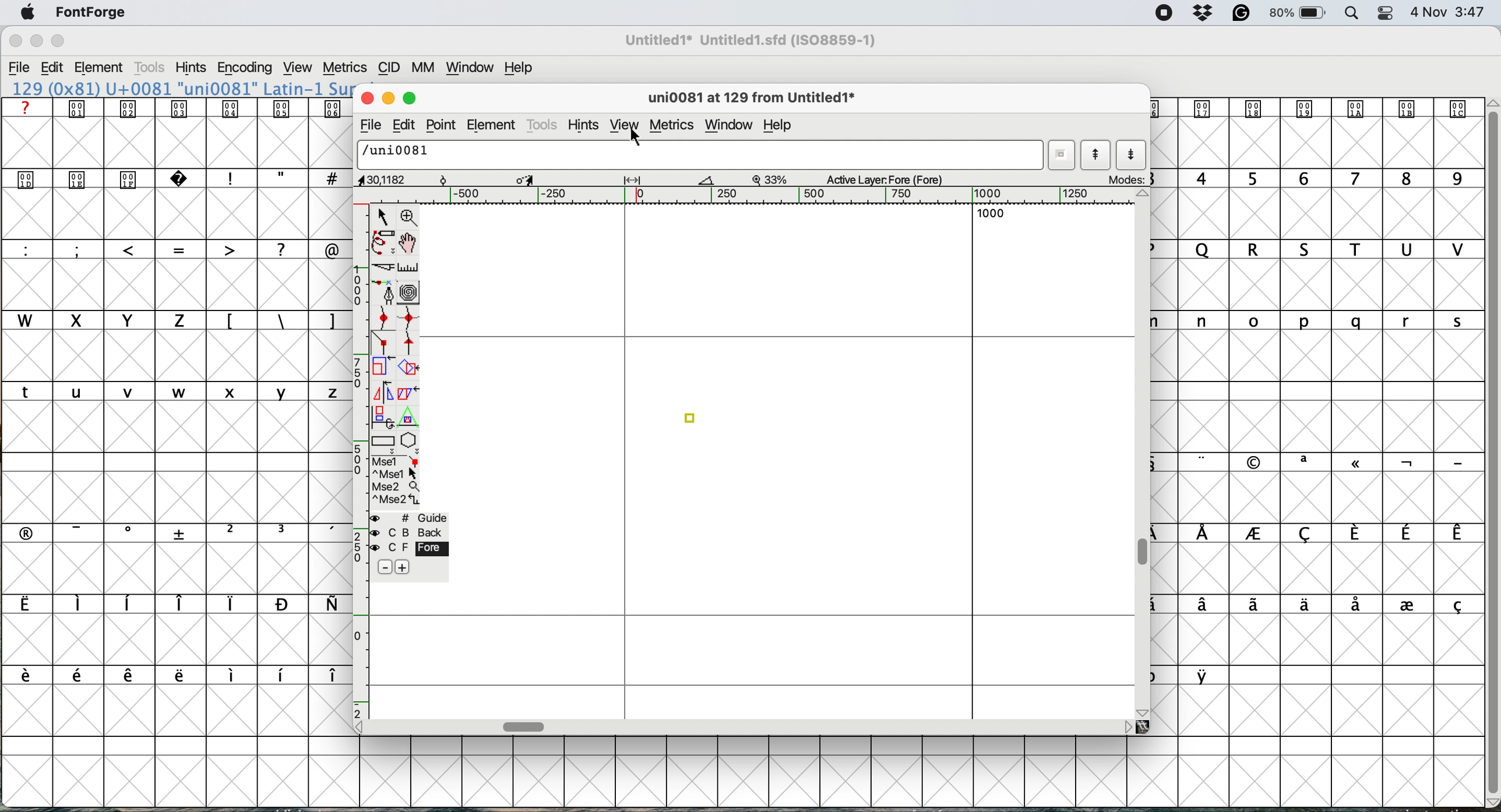 Image resolution: width=1501 pixels, height=812 pixels. Describe the element at coordinates (1297, 14) in the screenshot. I see `Battery Percentage and Status` at that location.